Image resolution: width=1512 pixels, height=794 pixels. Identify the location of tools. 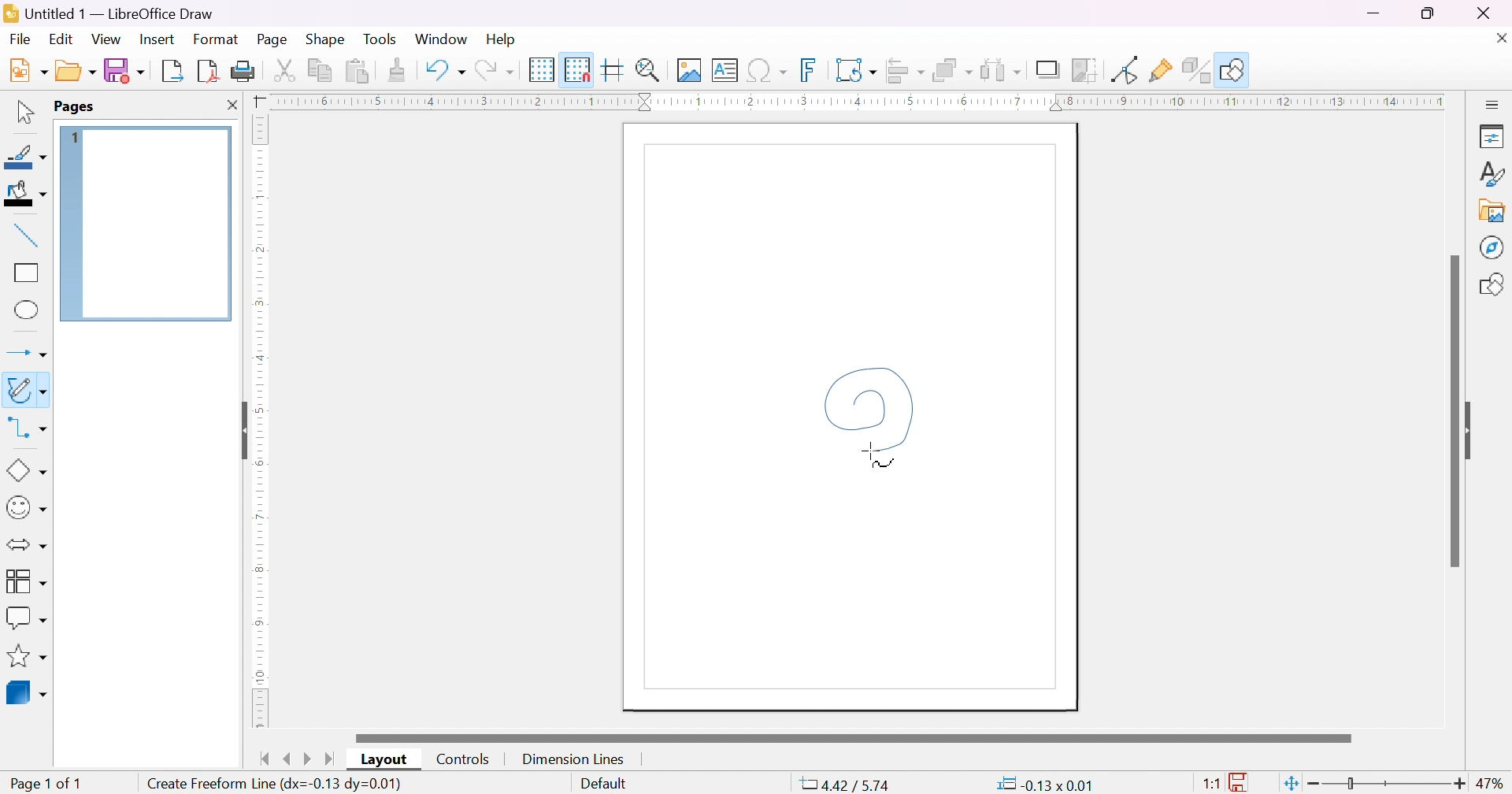
(382, 38).